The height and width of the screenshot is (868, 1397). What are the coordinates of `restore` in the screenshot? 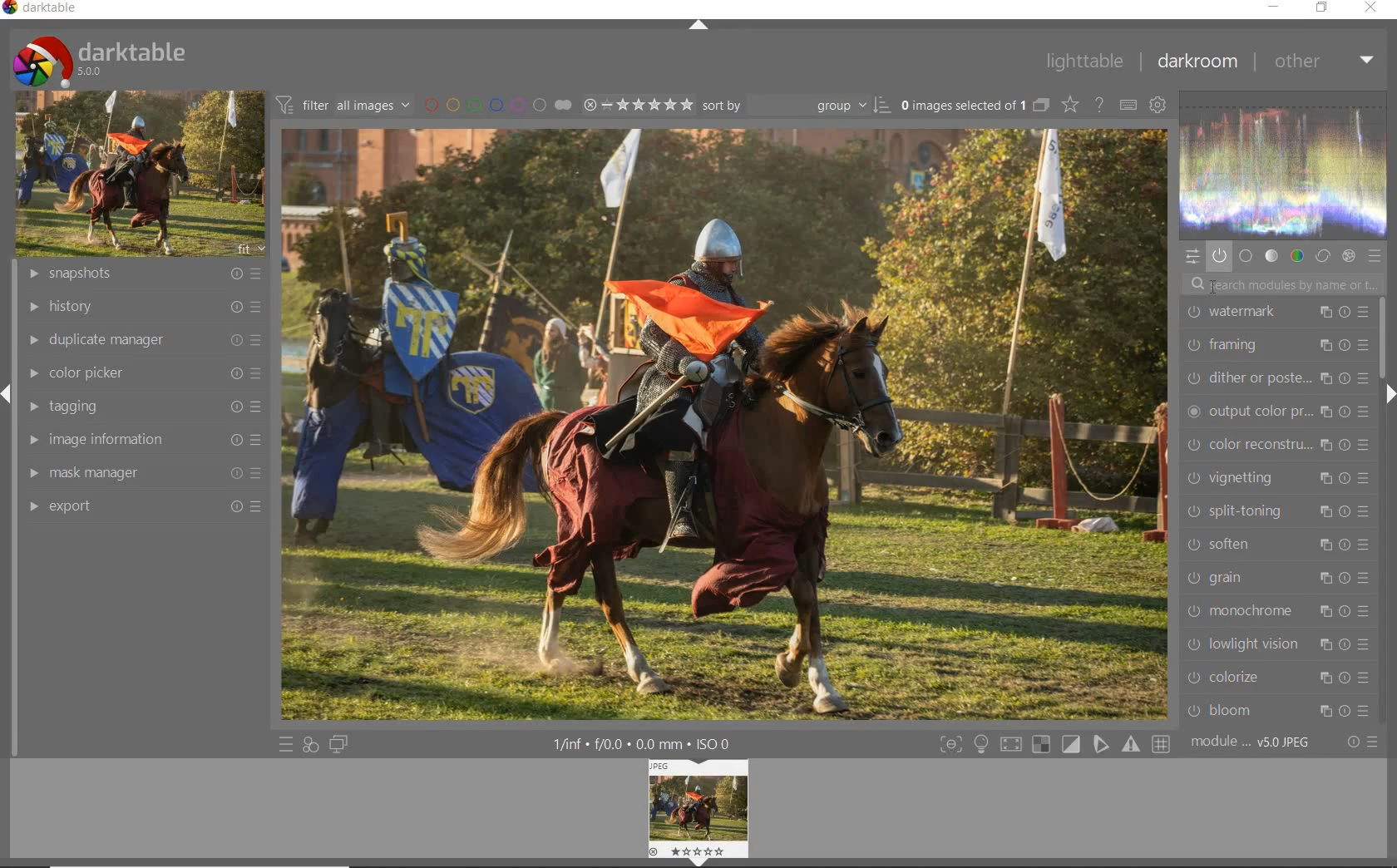 It's located at (1323, 10).